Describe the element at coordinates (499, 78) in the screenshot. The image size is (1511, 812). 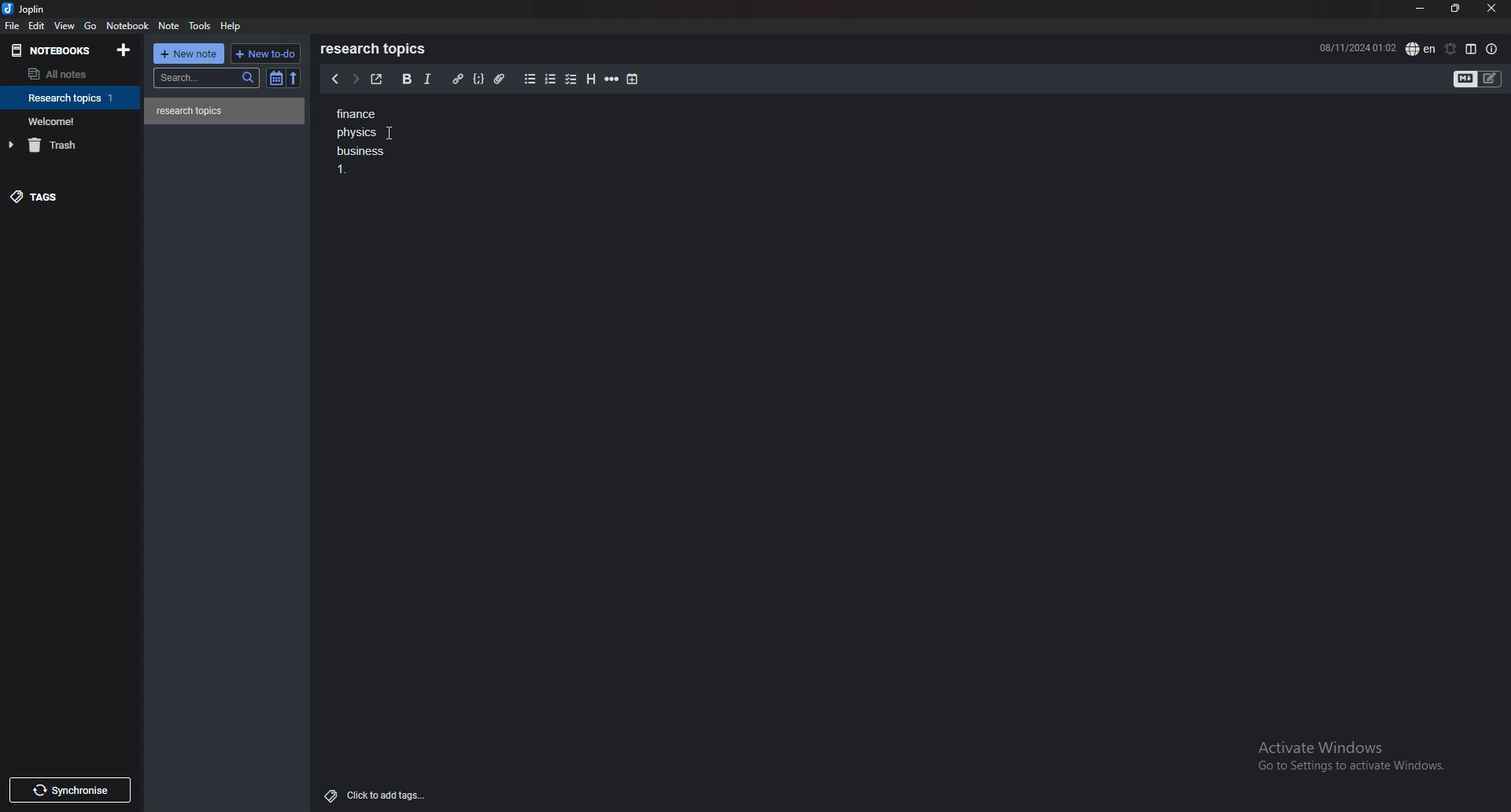
I see `attachment` at that location.